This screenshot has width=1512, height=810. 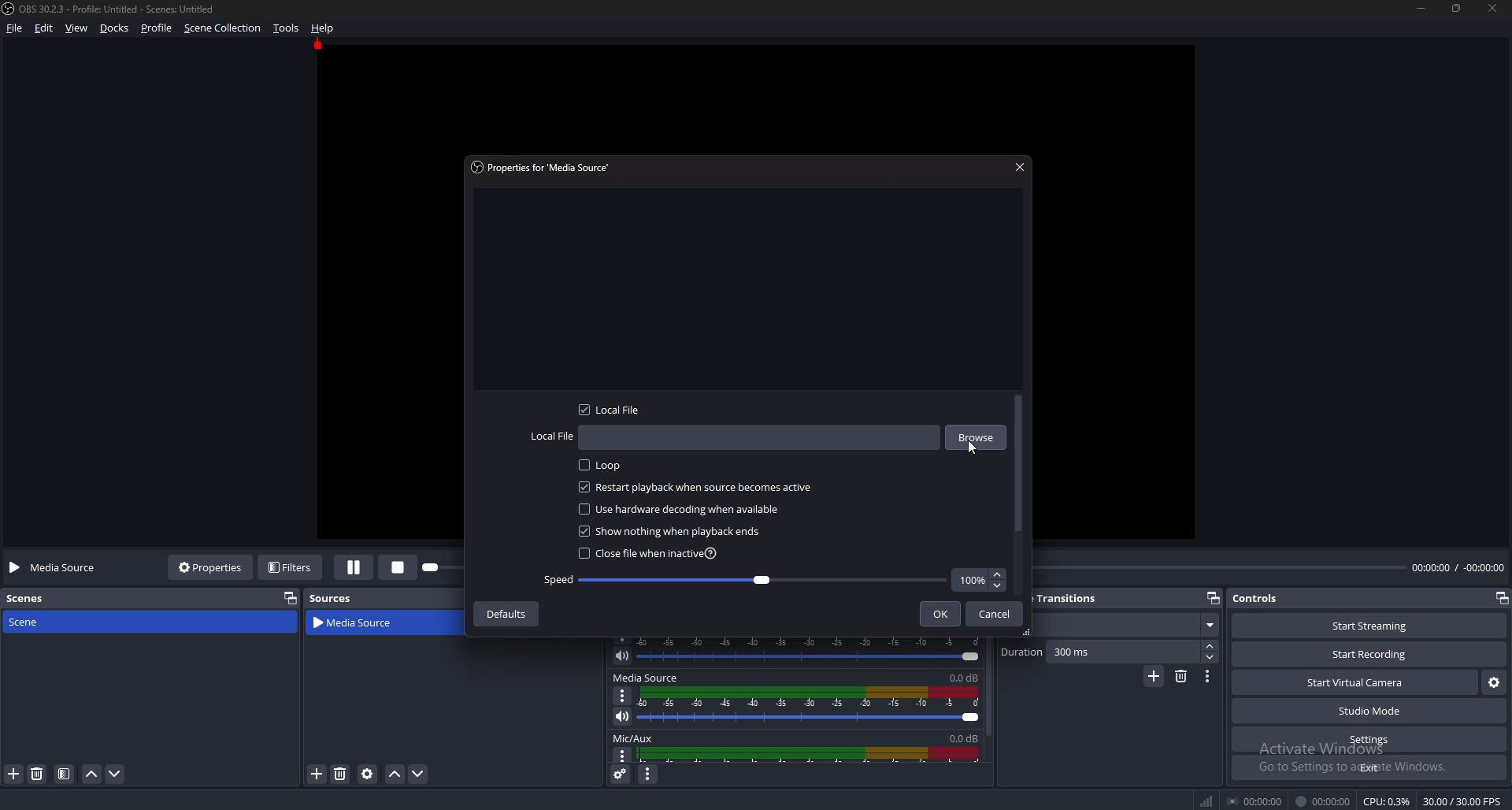 I want to click on  Audio mixer menu, so click(x=647, y=775).